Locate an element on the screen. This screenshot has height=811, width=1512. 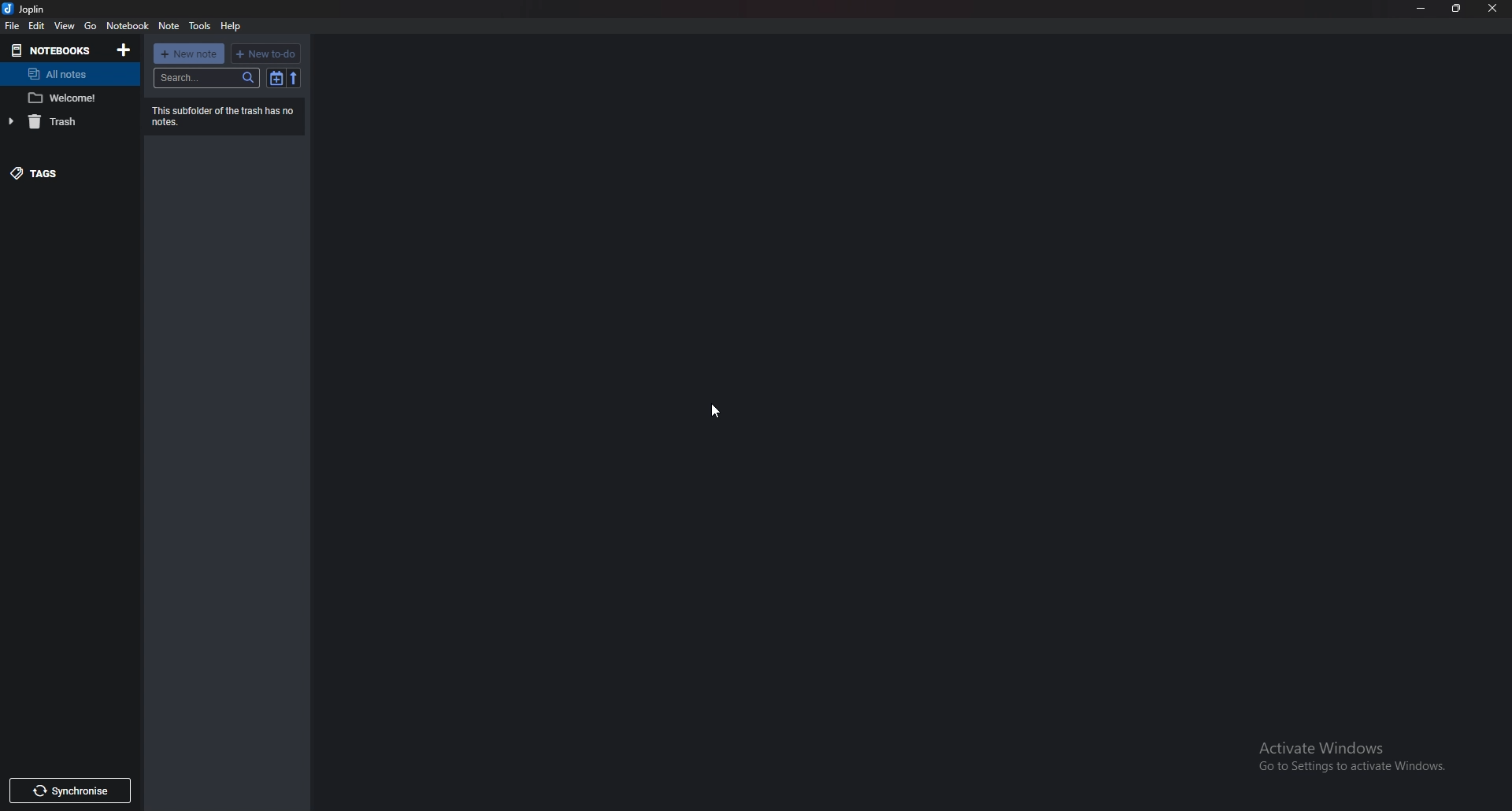
edit is located at coordinates (37, 26).